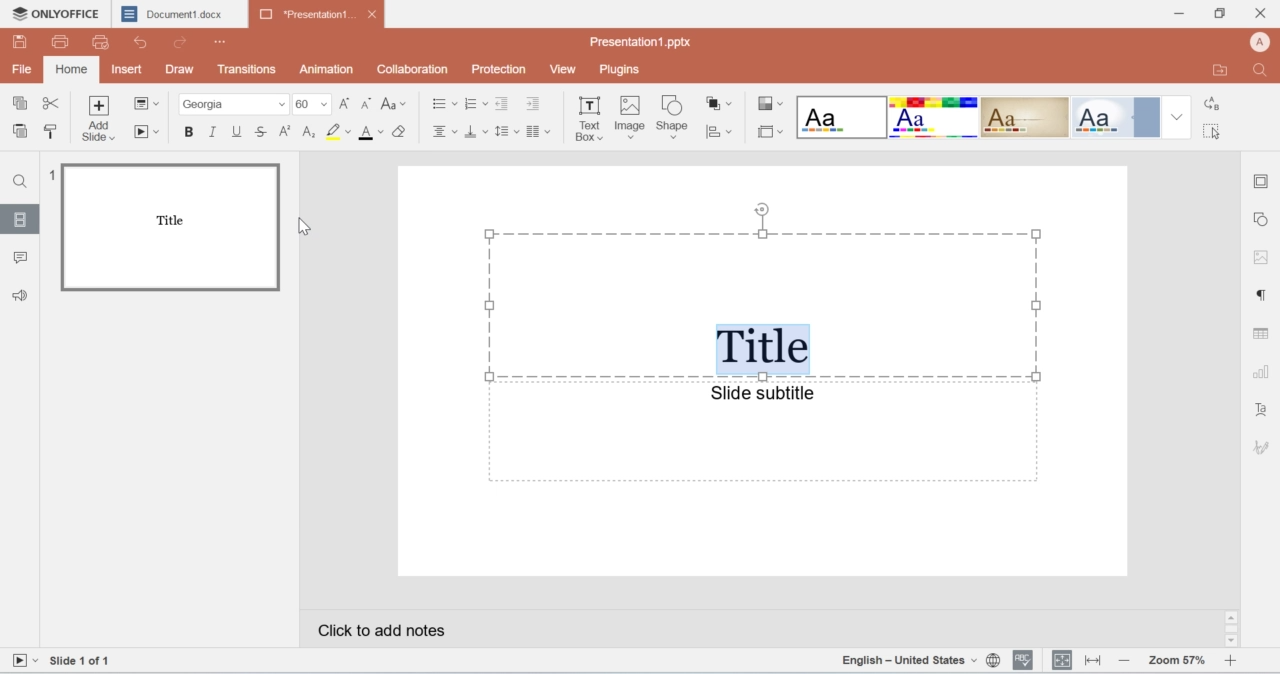  I want to click on indent, so click(537, 105).